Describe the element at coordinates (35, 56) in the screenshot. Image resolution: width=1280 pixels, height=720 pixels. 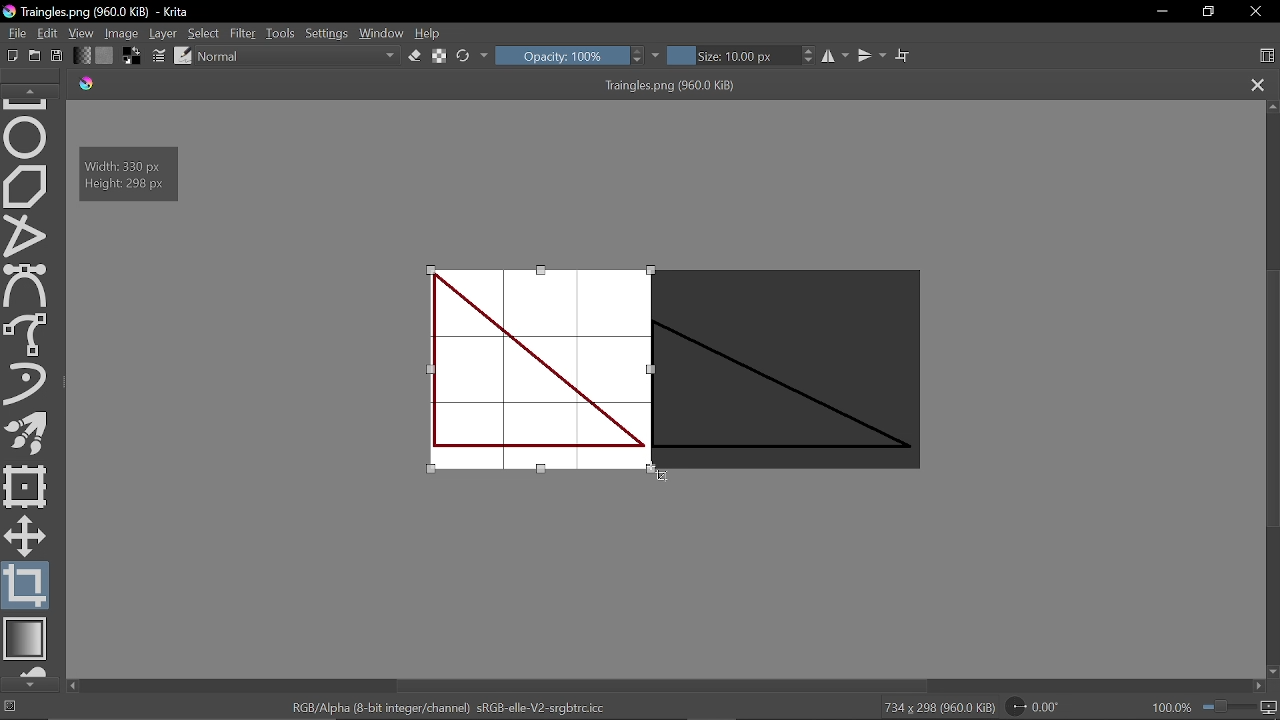
I see `Open new document` at that location.